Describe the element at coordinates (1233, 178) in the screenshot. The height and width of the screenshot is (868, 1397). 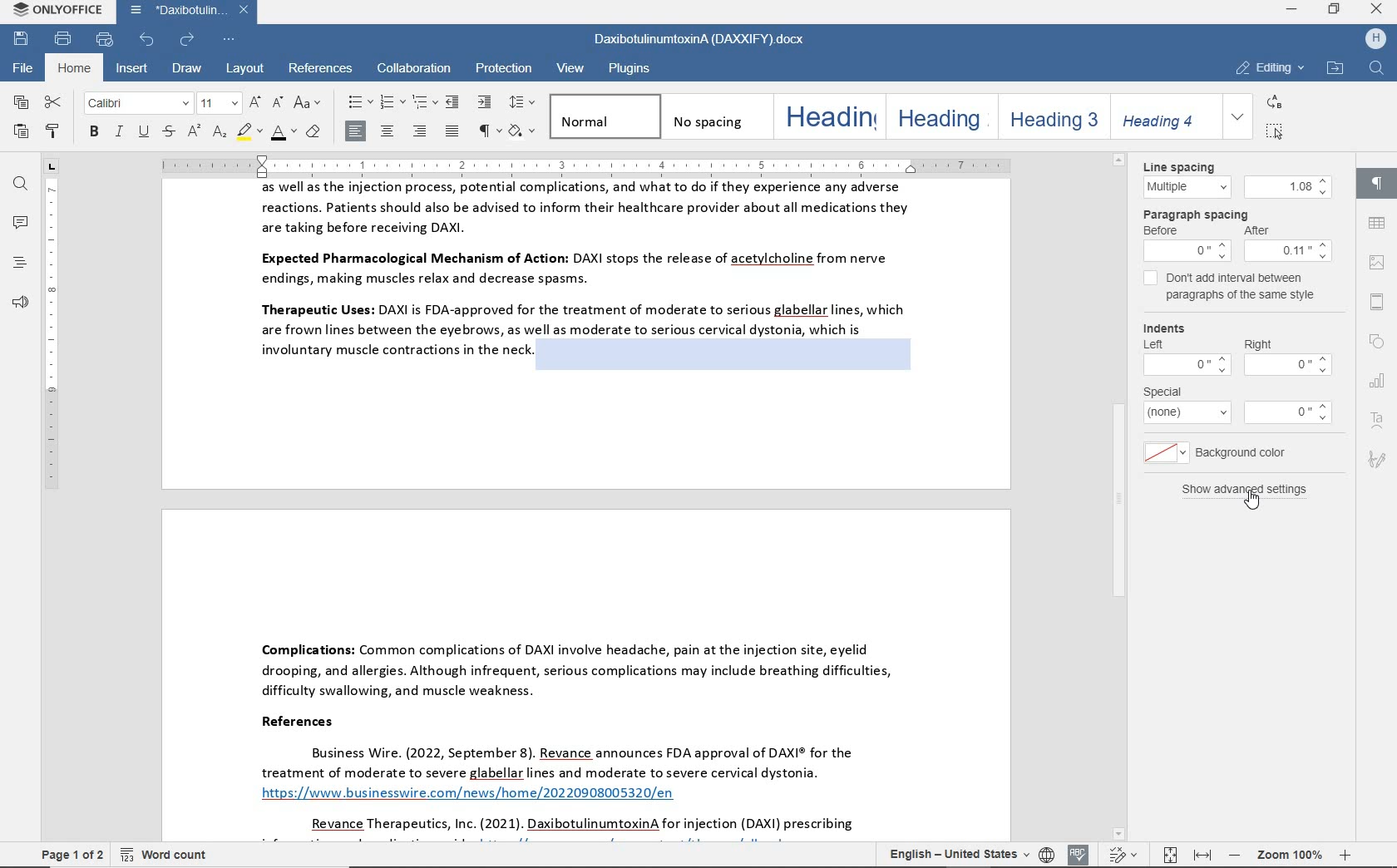
I see `line spacing` at that location.